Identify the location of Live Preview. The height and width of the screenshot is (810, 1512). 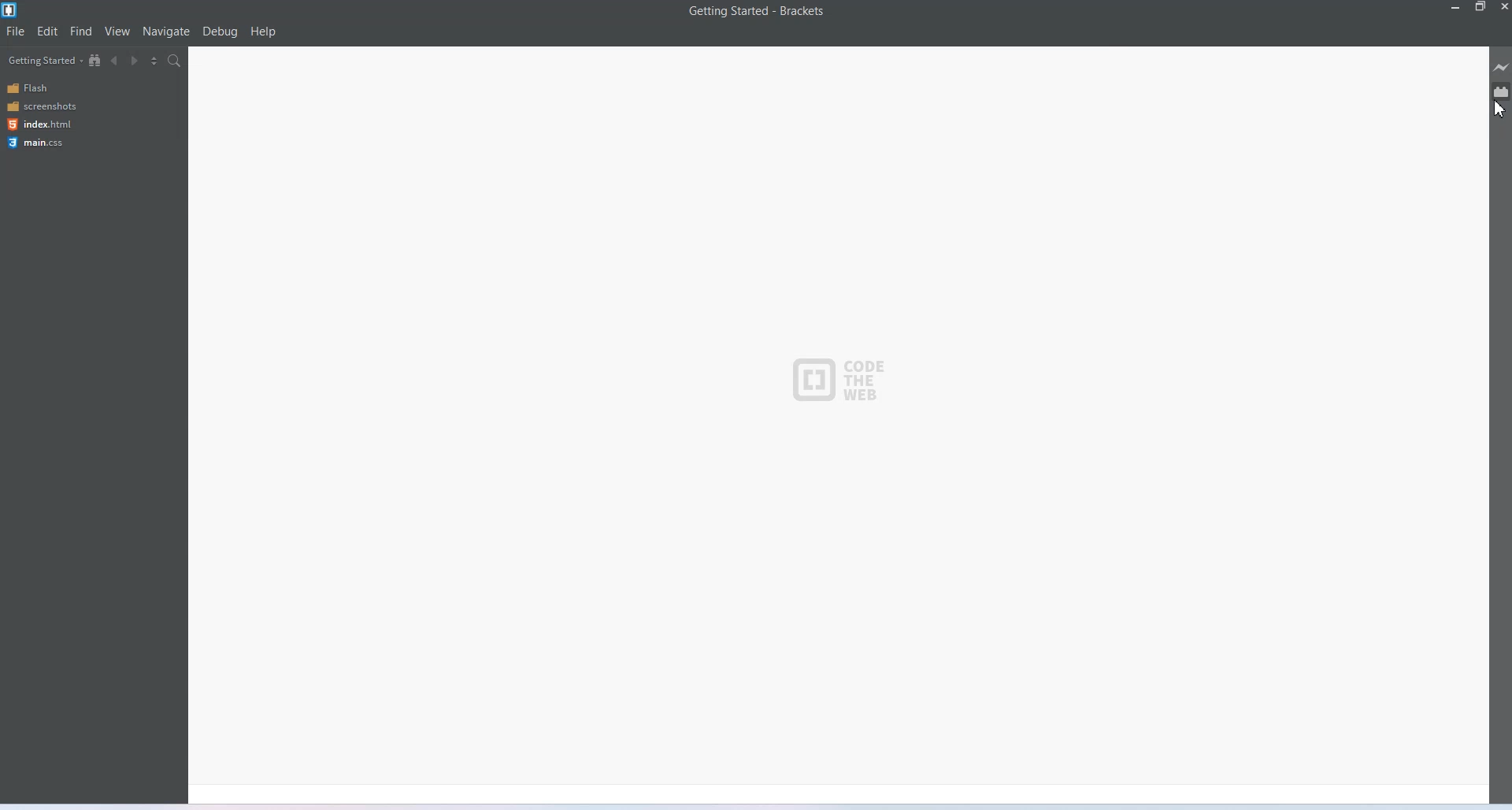
(1499, 67).